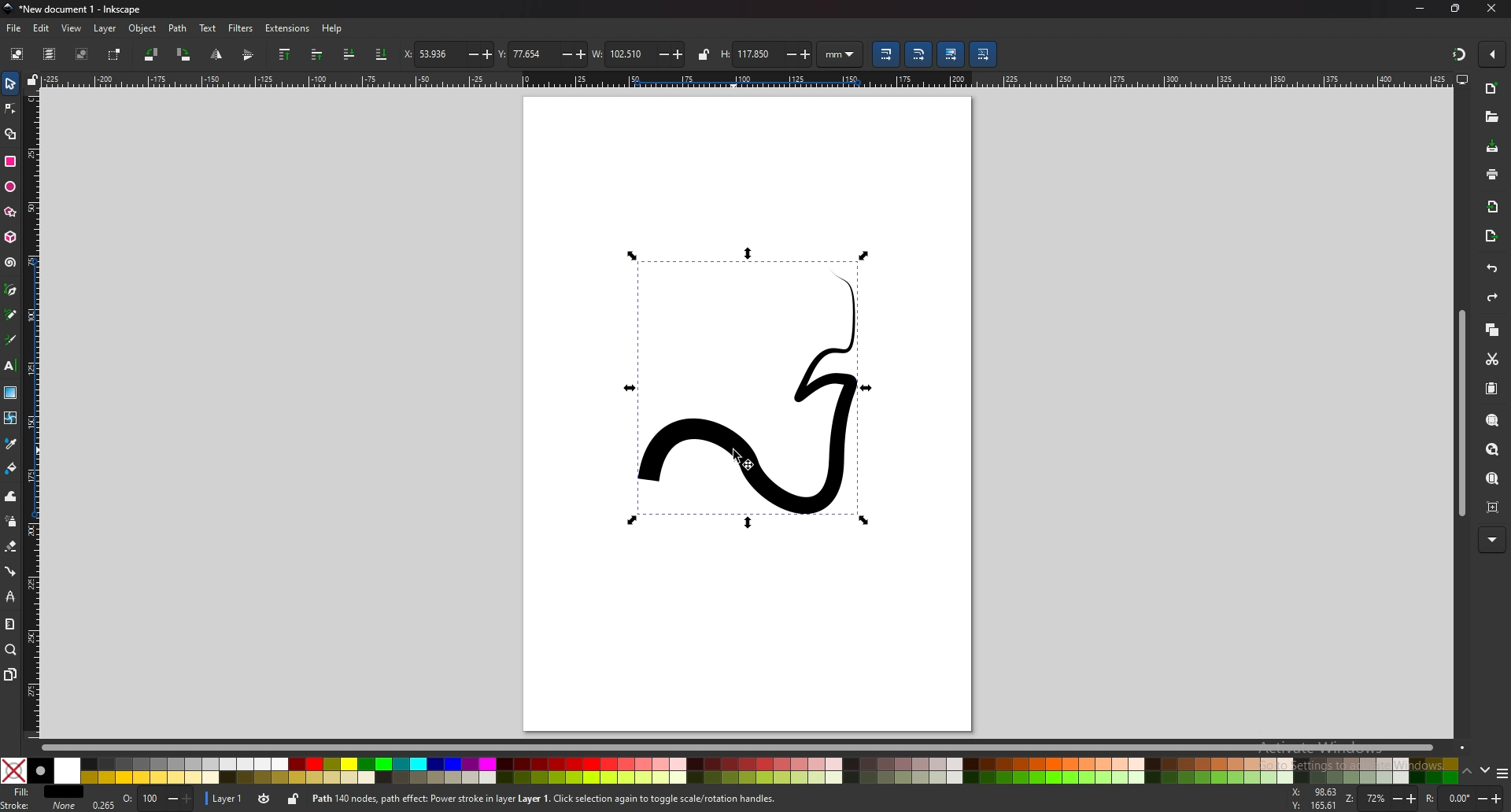  What do you see at coordinates (752, 389) in the screenshot?
I see `selected drawing` at bounding box center [752, 389].